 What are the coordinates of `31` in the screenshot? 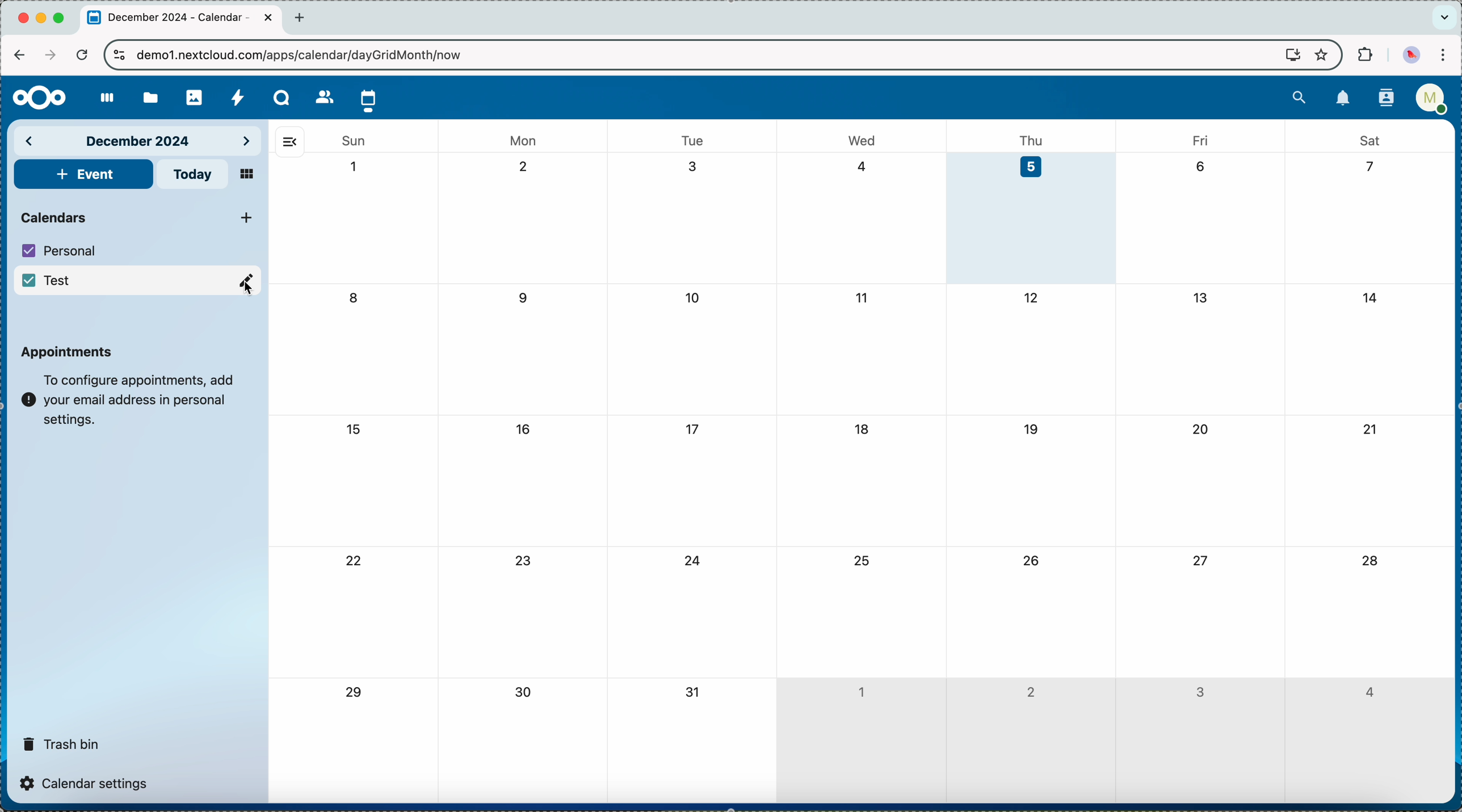 It's located at (694, 693).